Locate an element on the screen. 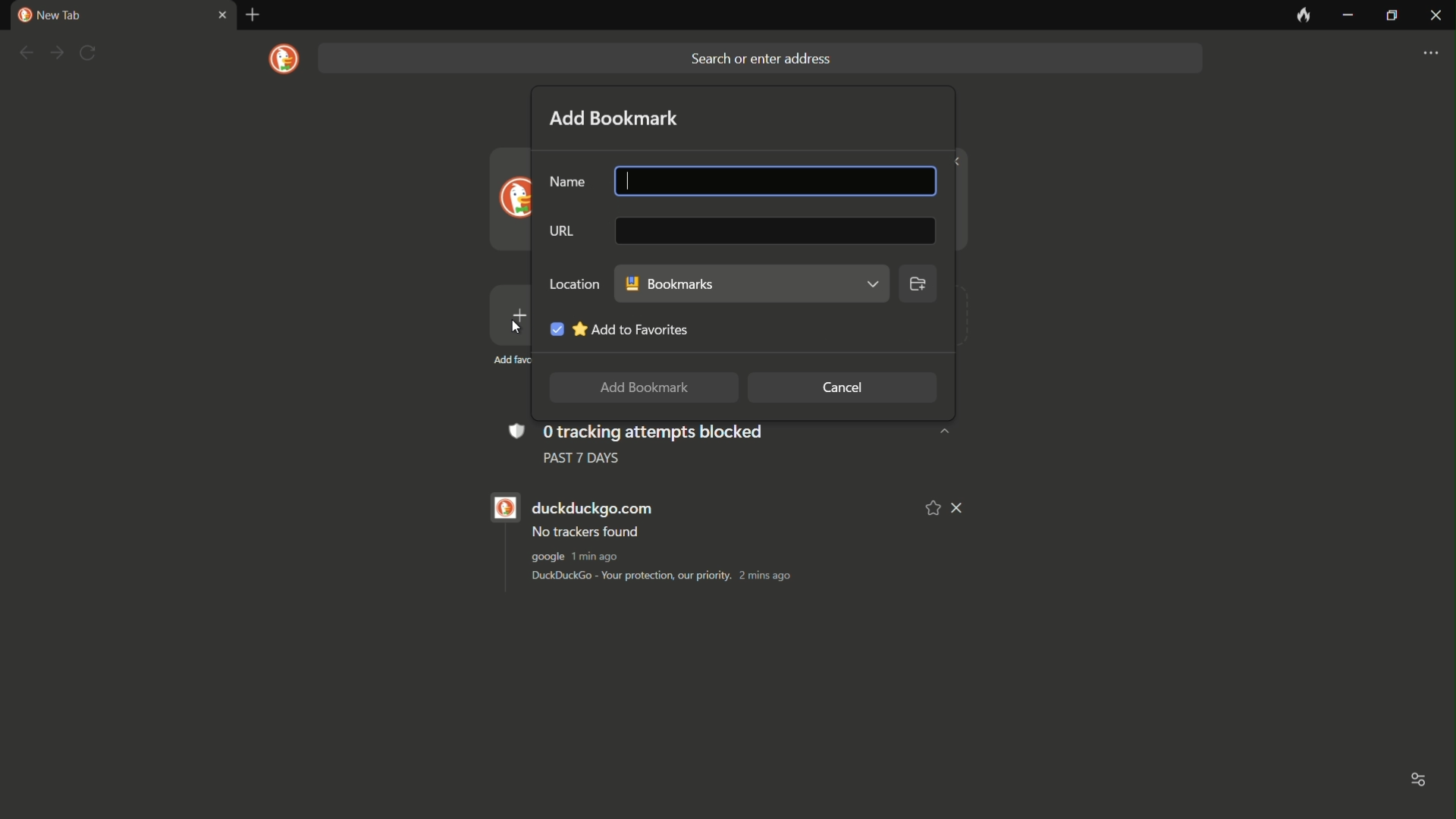  close app is located at coordinates (1435, 16).